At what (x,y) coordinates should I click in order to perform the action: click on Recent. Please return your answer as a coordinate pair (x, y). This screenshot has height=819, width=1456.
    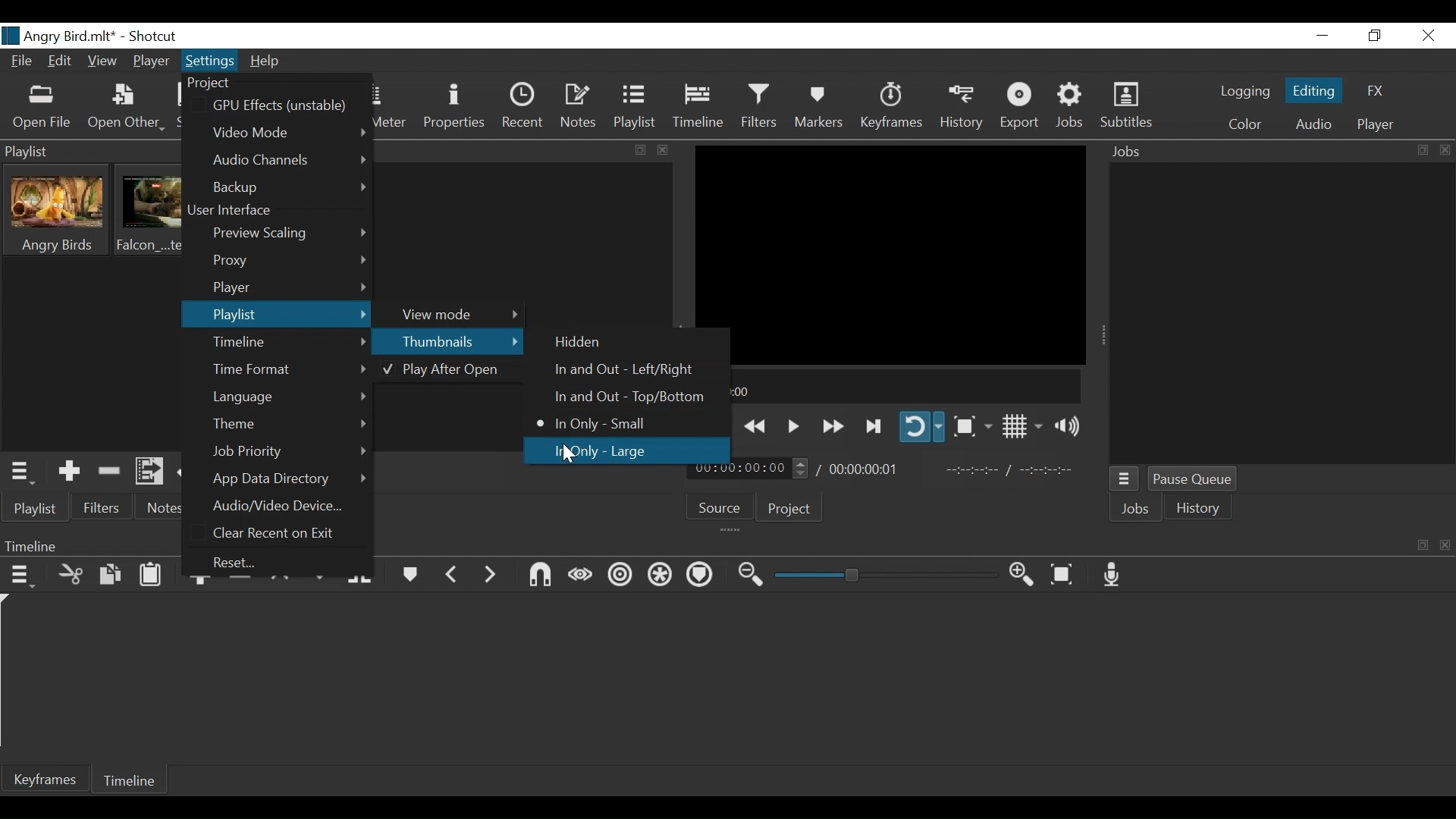
    Looking at the image, I should click on (522, 108).